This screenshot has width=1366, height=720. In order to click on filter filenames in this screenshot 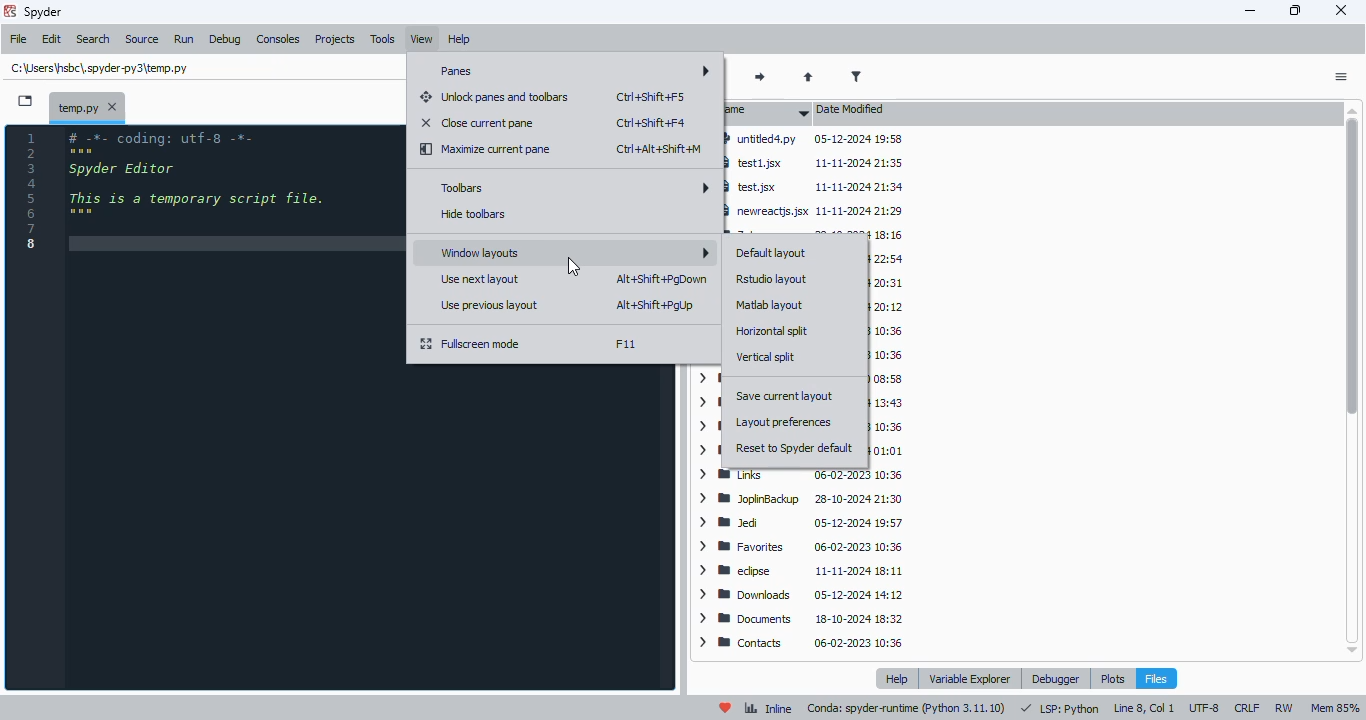, I will do `click(858, 77)`.